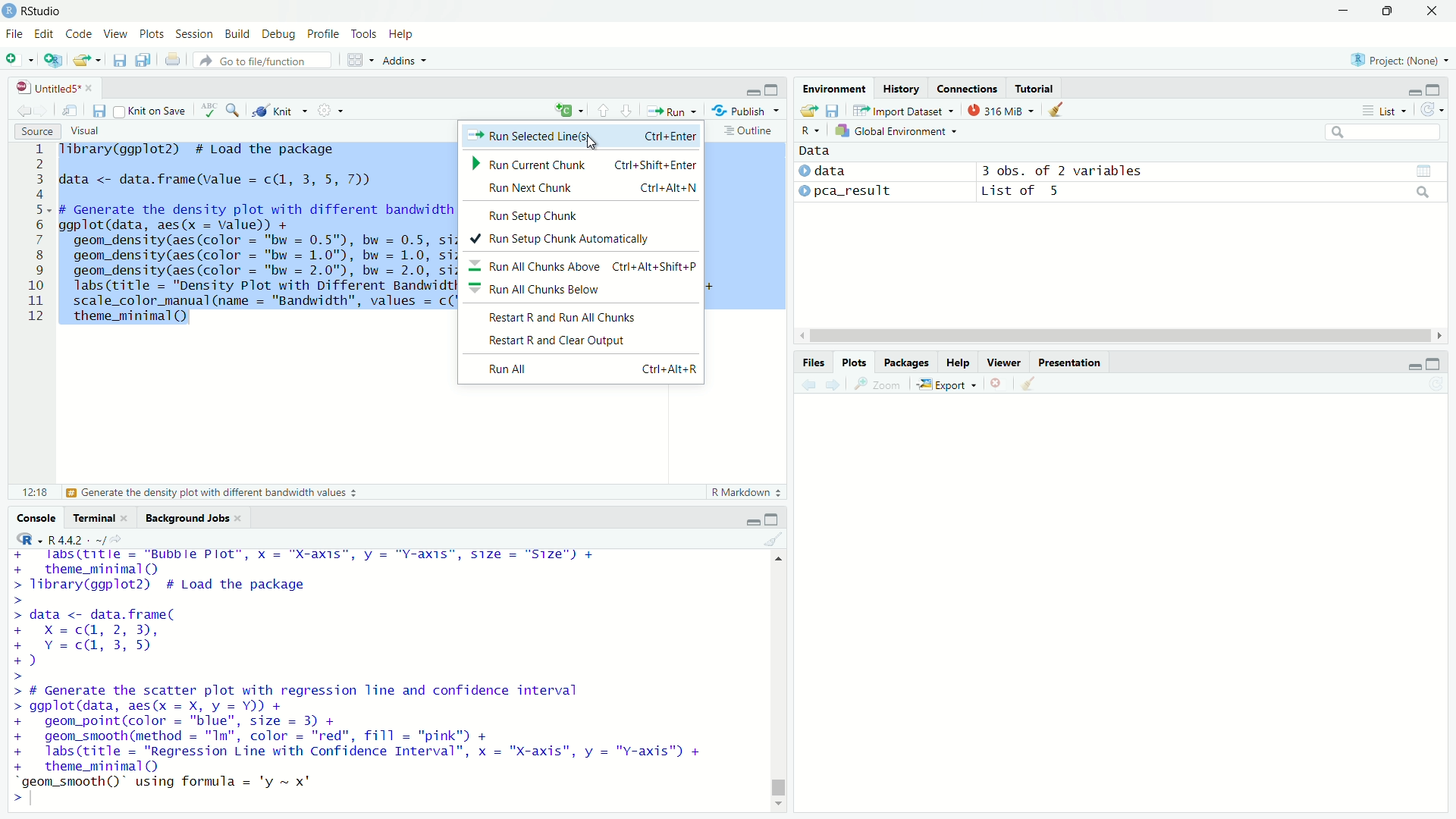 The image size is (1456, 819). What do you see at coordinates (364, 33) in the screenshot?
I see `Tools` at bounding box center [364, 33].